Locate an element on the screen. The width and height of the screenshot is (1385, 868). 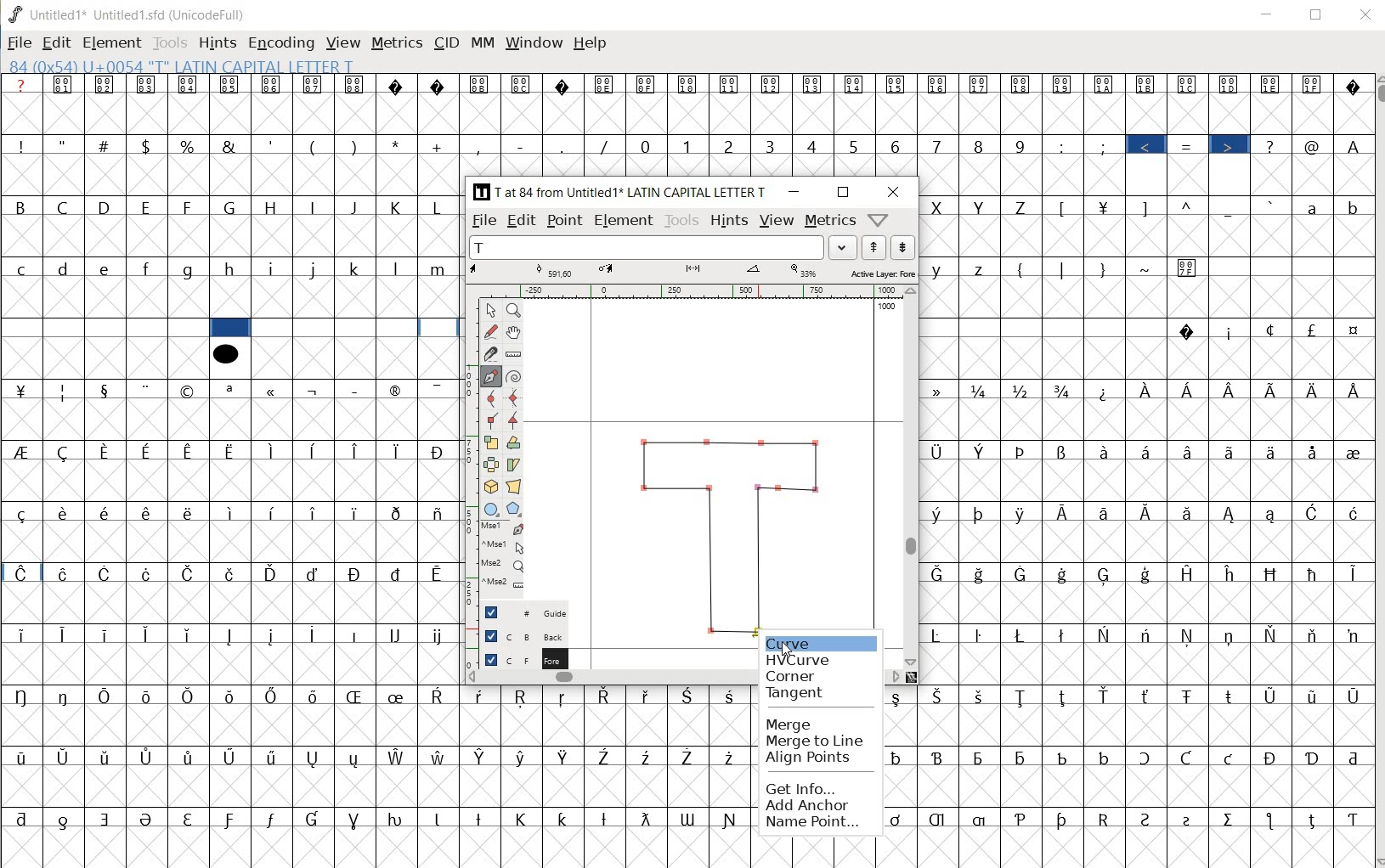
point is located at coordinates (489, 310).